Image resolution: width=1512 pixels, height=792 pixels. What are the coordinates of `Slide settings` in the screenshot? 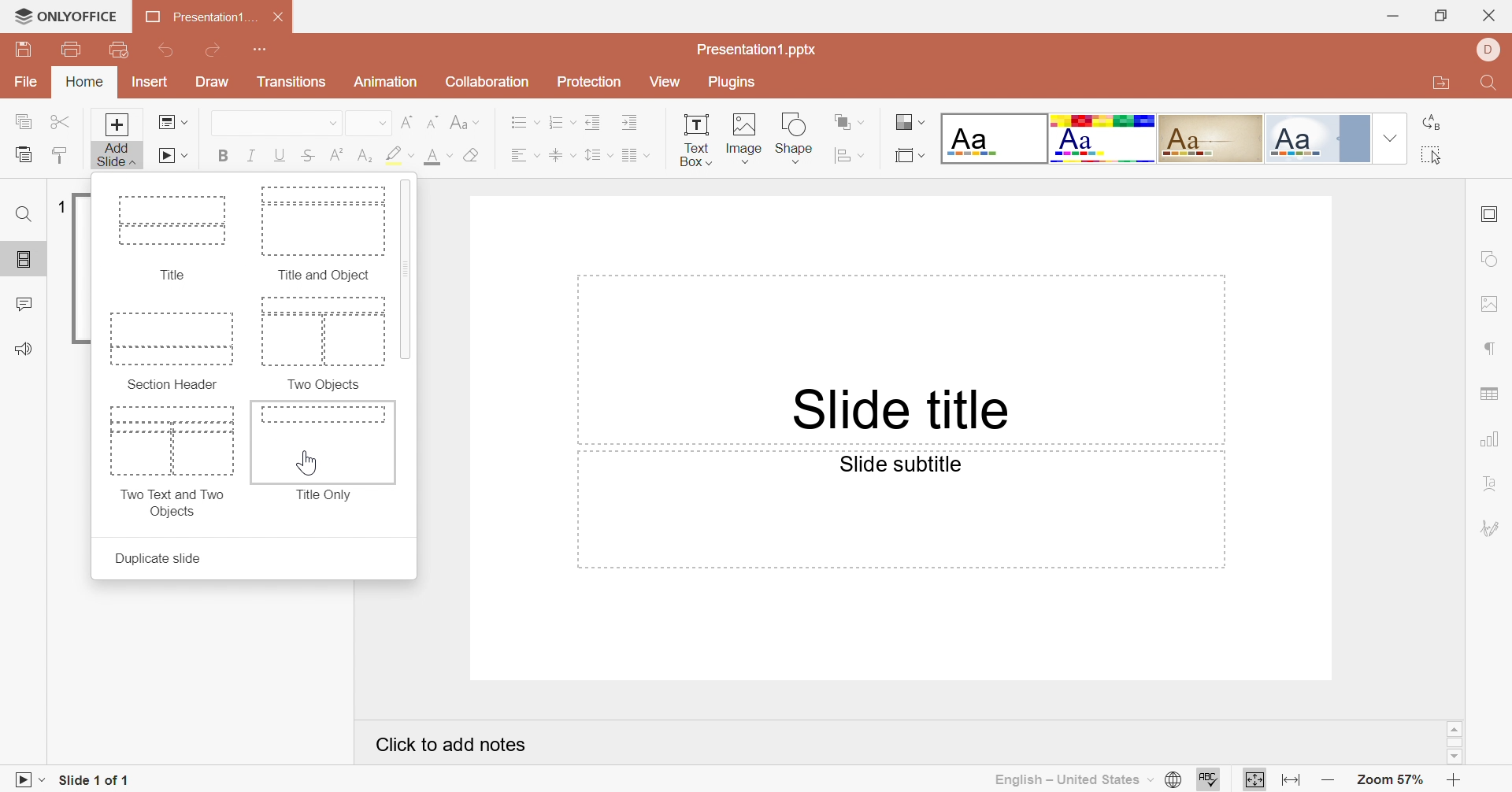 It's located at (1489, 213).